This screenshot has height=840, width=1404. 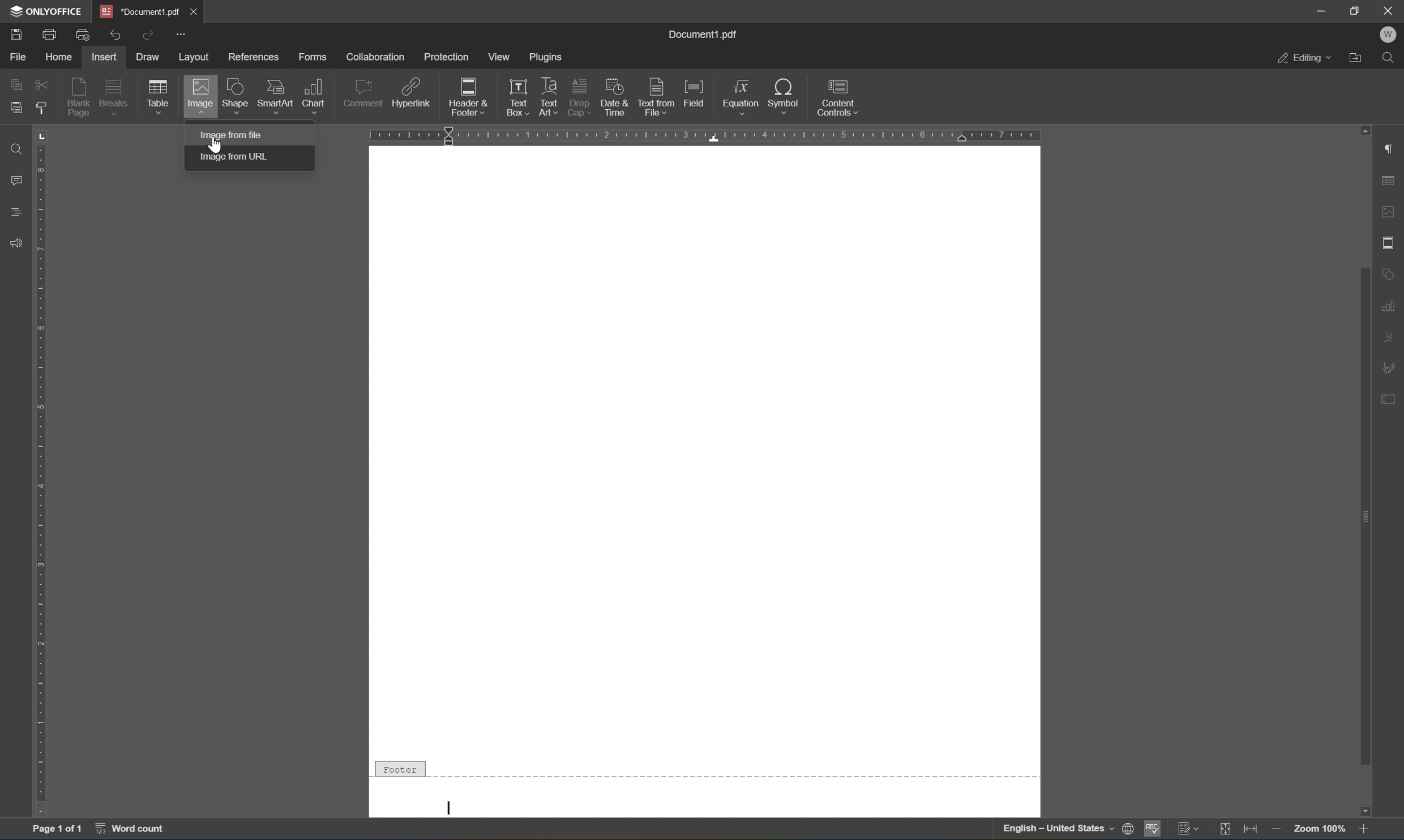 What do you see at coordinates (237, 155) in the screenshot?
I see `image from url` at bounding box center [237, 155].